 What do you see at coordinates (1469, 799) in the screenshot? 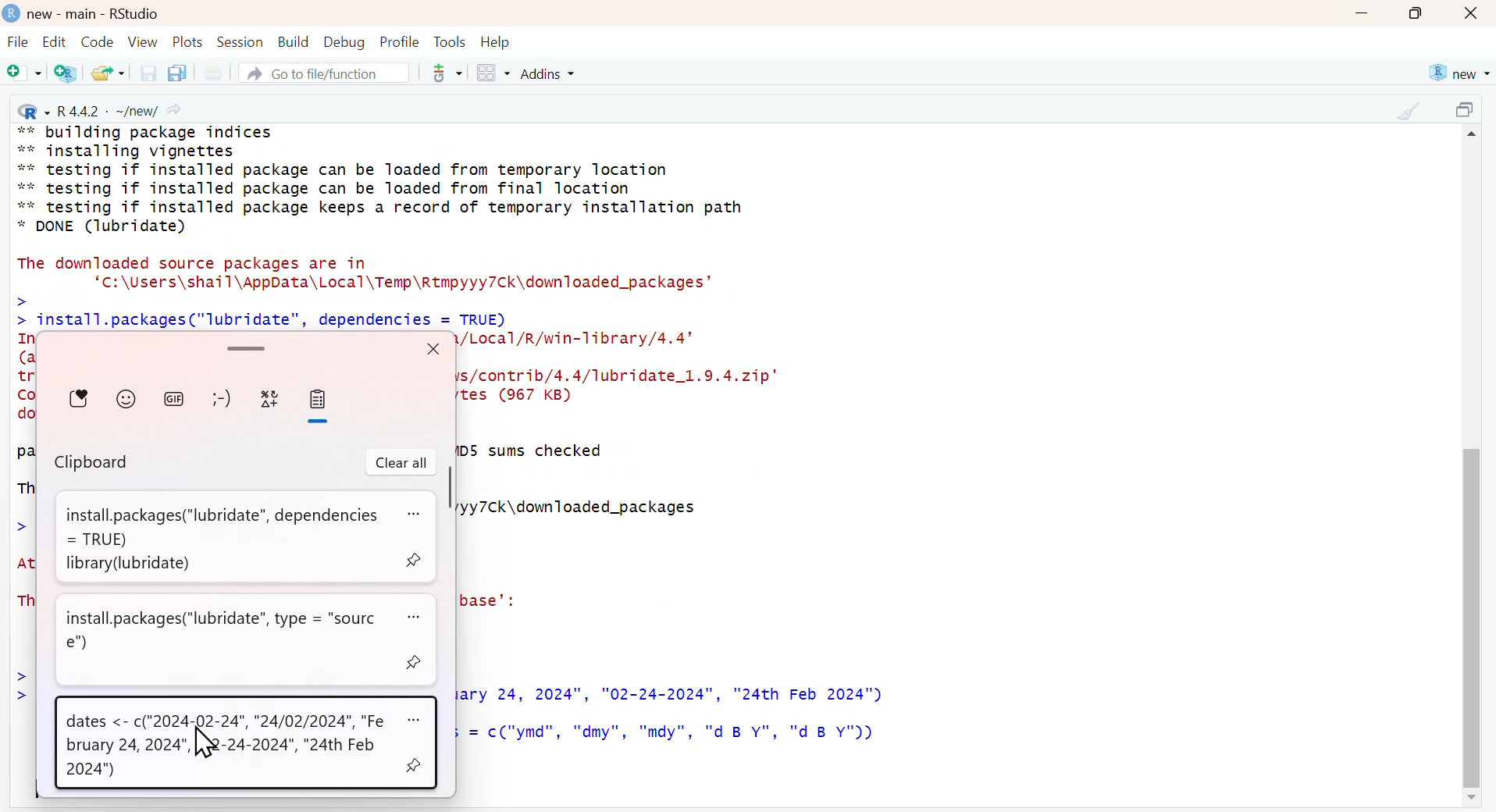
I see `scroll down` at bounding box center [1469, 799].